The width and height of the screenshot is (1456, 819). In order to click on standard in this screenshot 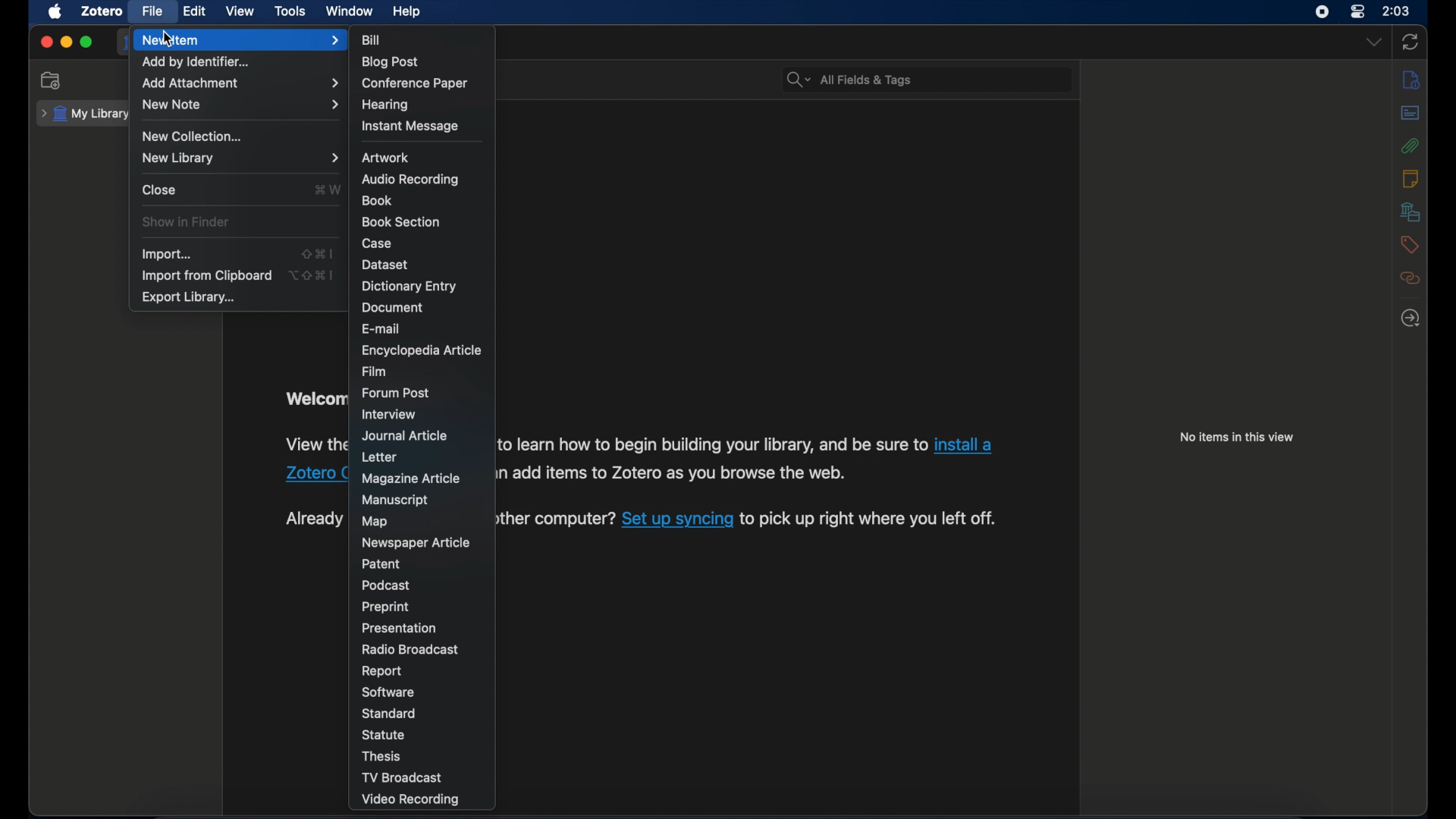, I will do `click(388, 713)`.